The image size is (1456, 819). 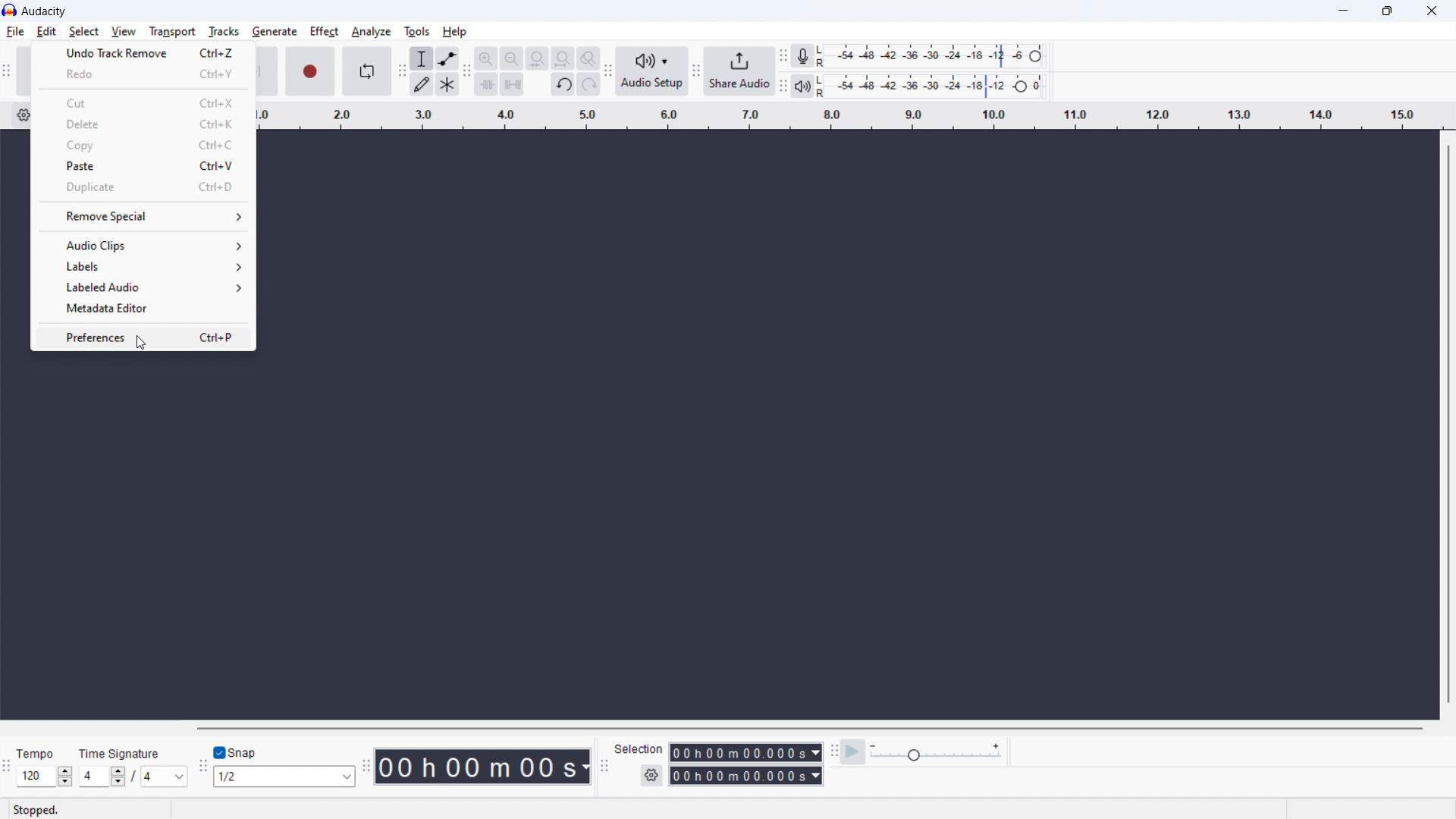 I want to click on Enabales movement of share audio toolbar, so click(x=697, y=71).